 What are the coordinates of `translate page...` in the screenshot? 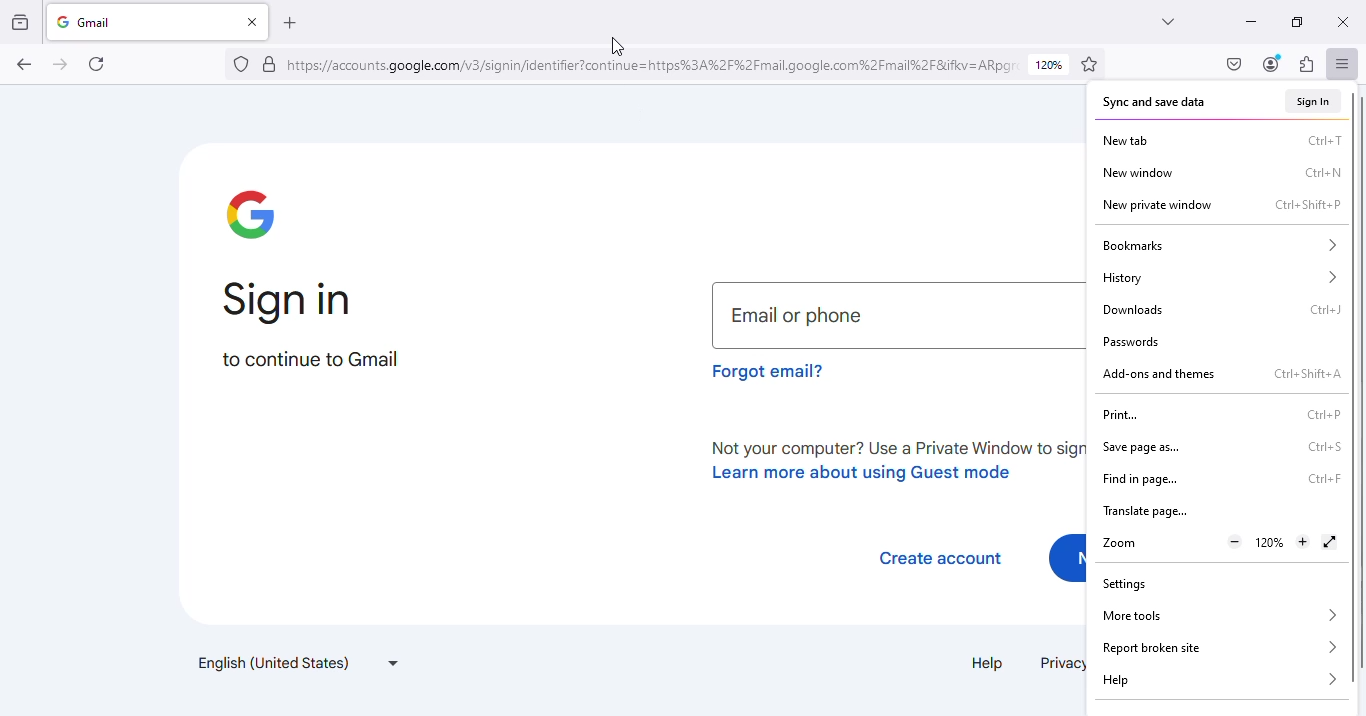 It's located at (1145, 511).